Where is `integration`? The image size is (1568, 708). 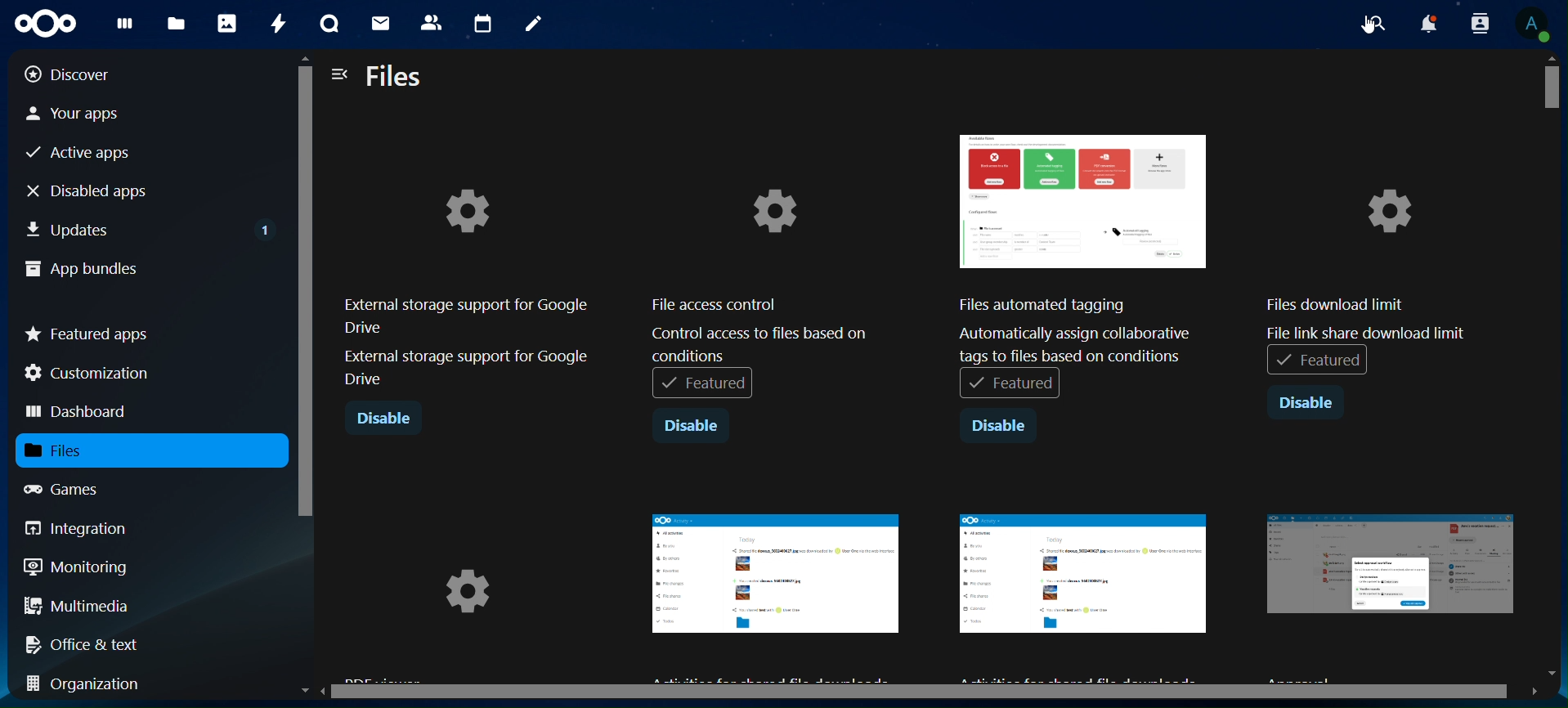
integration is located at coordinates (88, 528).